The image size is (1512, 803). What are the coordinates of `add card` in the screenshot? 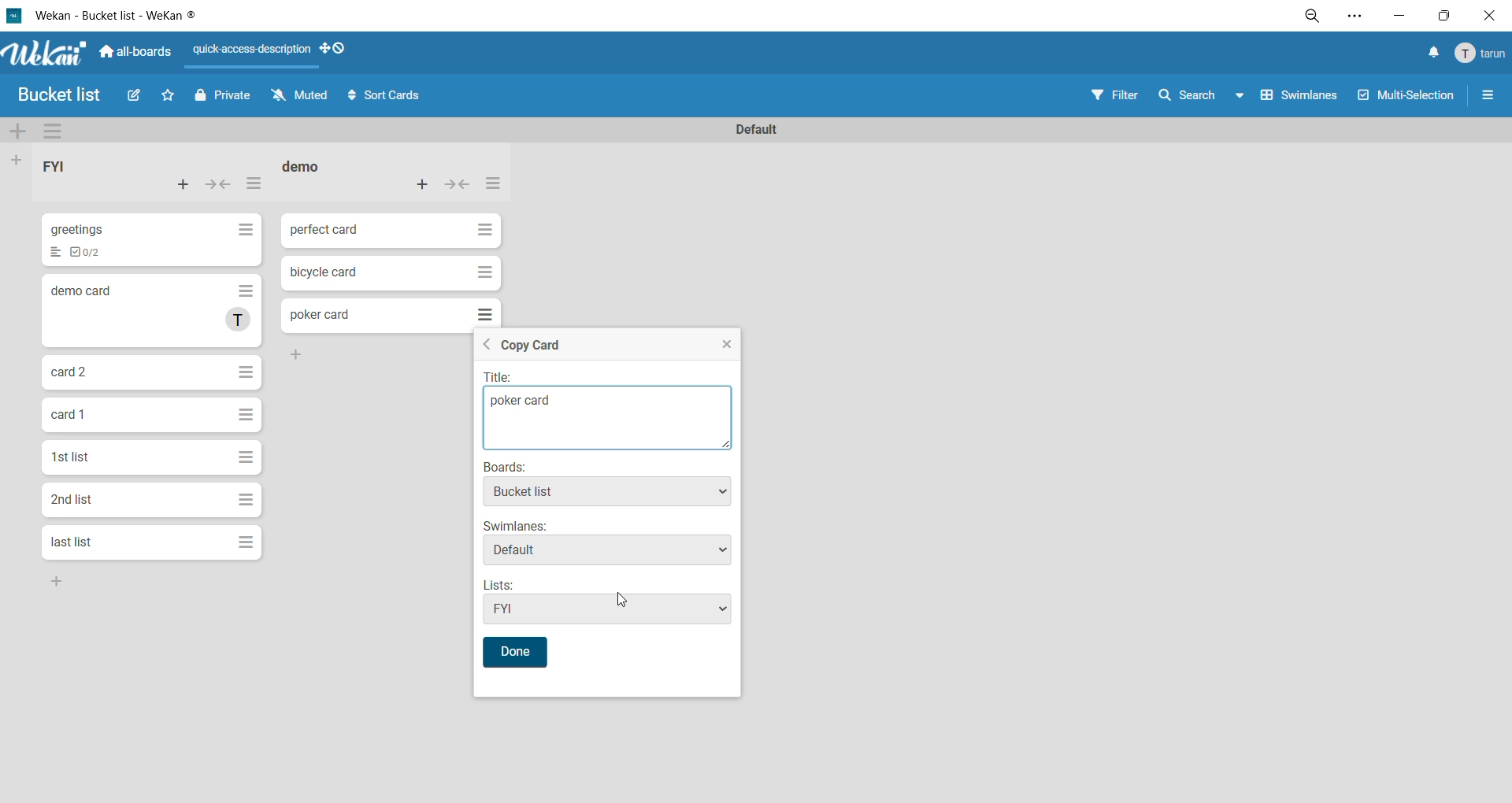 It's located at (183, 187).